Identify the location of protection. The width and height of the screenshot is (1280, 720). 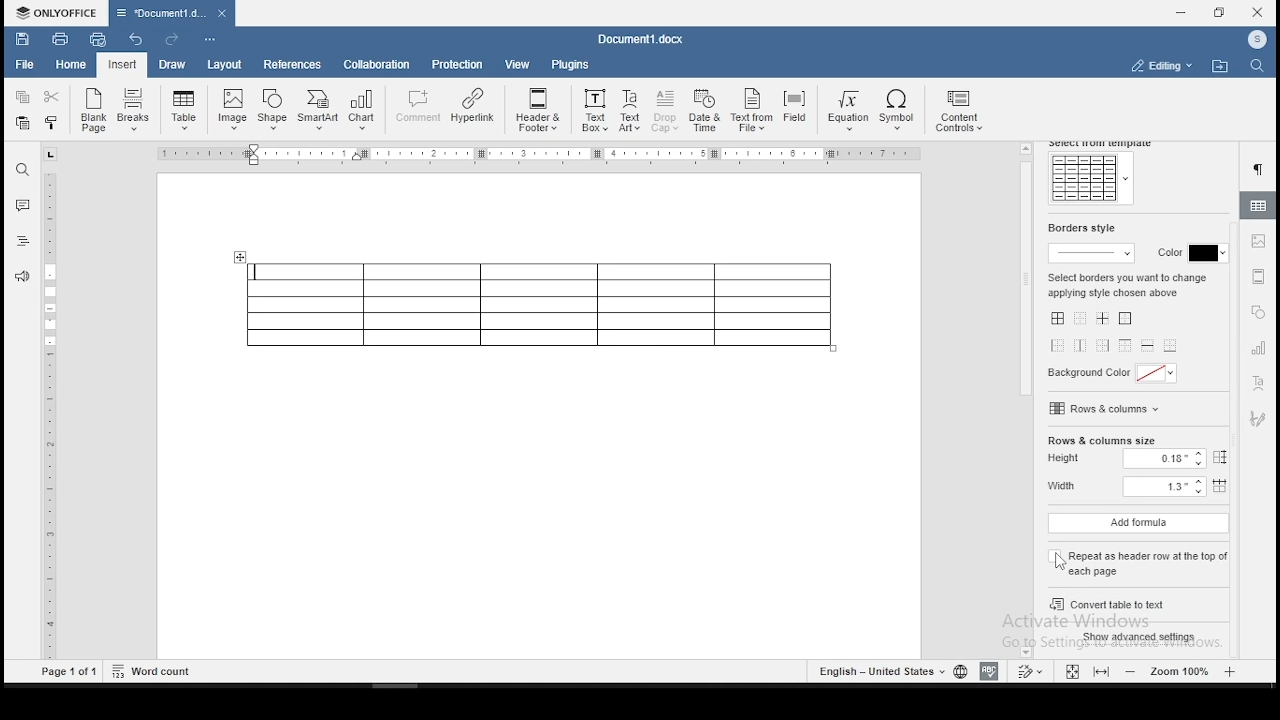
(459, 64).